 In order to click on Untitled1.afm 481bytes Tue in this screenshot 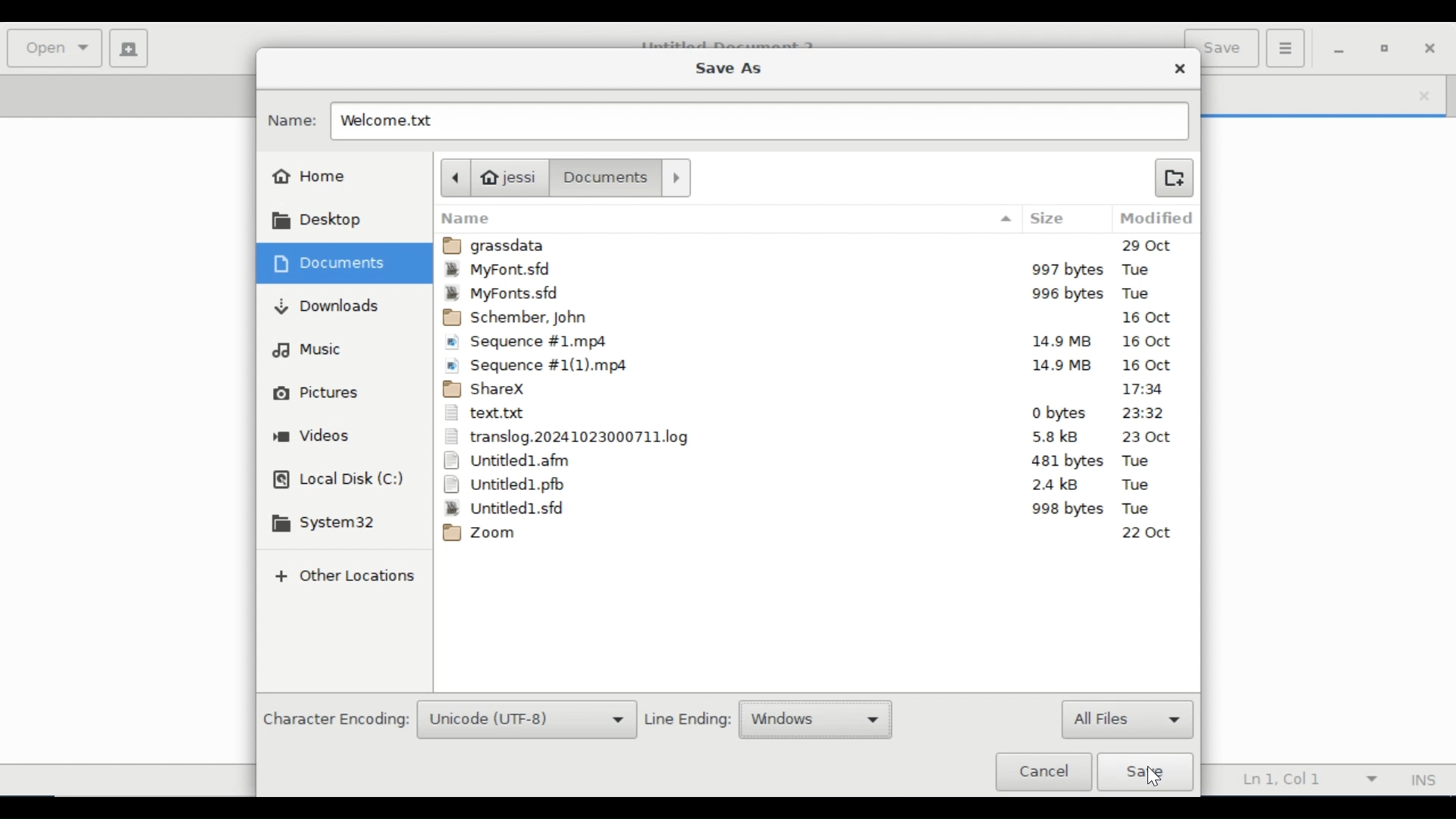, I will do `click(812, 461)`.